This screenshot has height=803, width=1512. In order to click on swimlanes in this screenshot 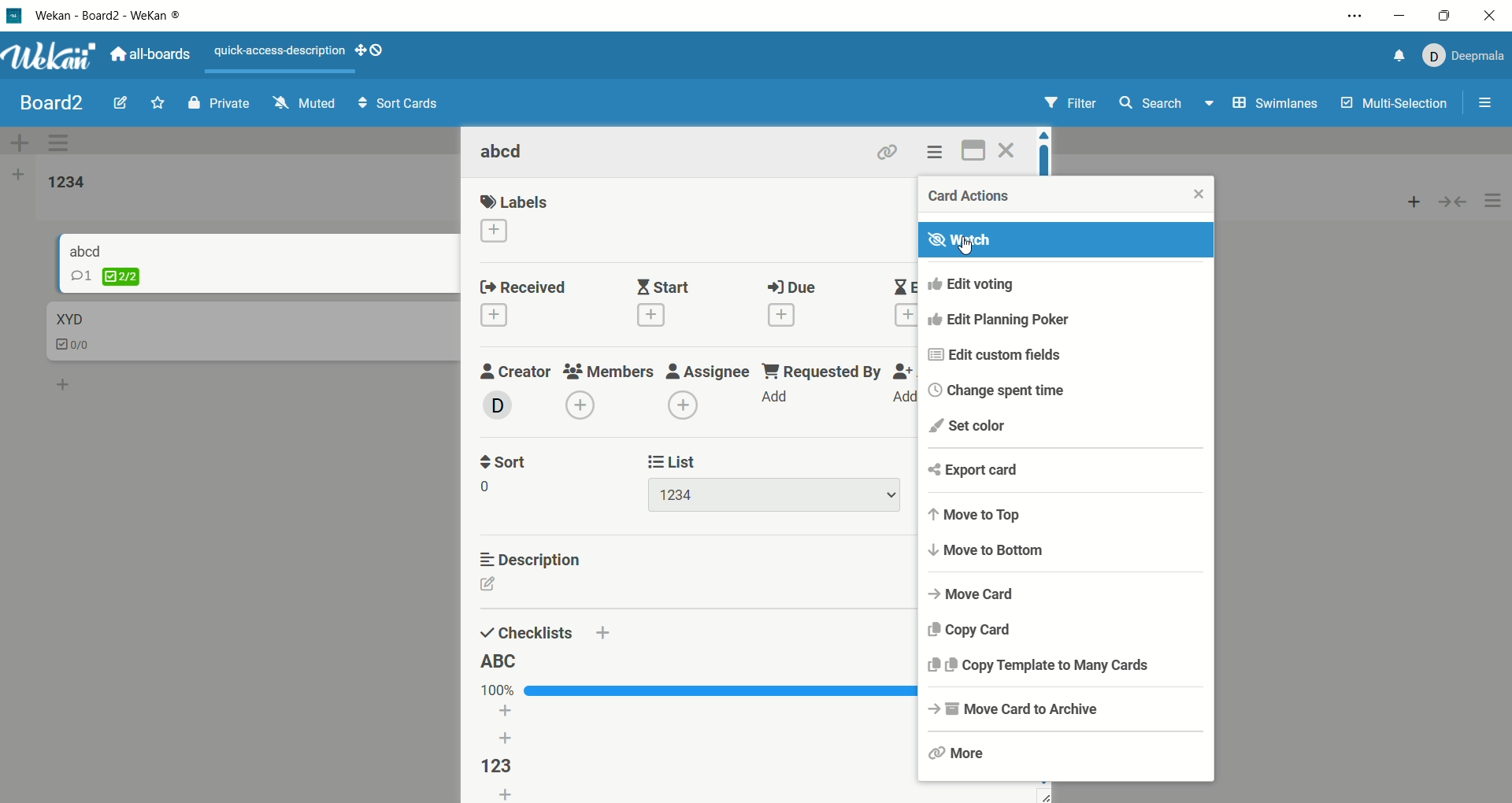, I will do `click(1274, 105)`.